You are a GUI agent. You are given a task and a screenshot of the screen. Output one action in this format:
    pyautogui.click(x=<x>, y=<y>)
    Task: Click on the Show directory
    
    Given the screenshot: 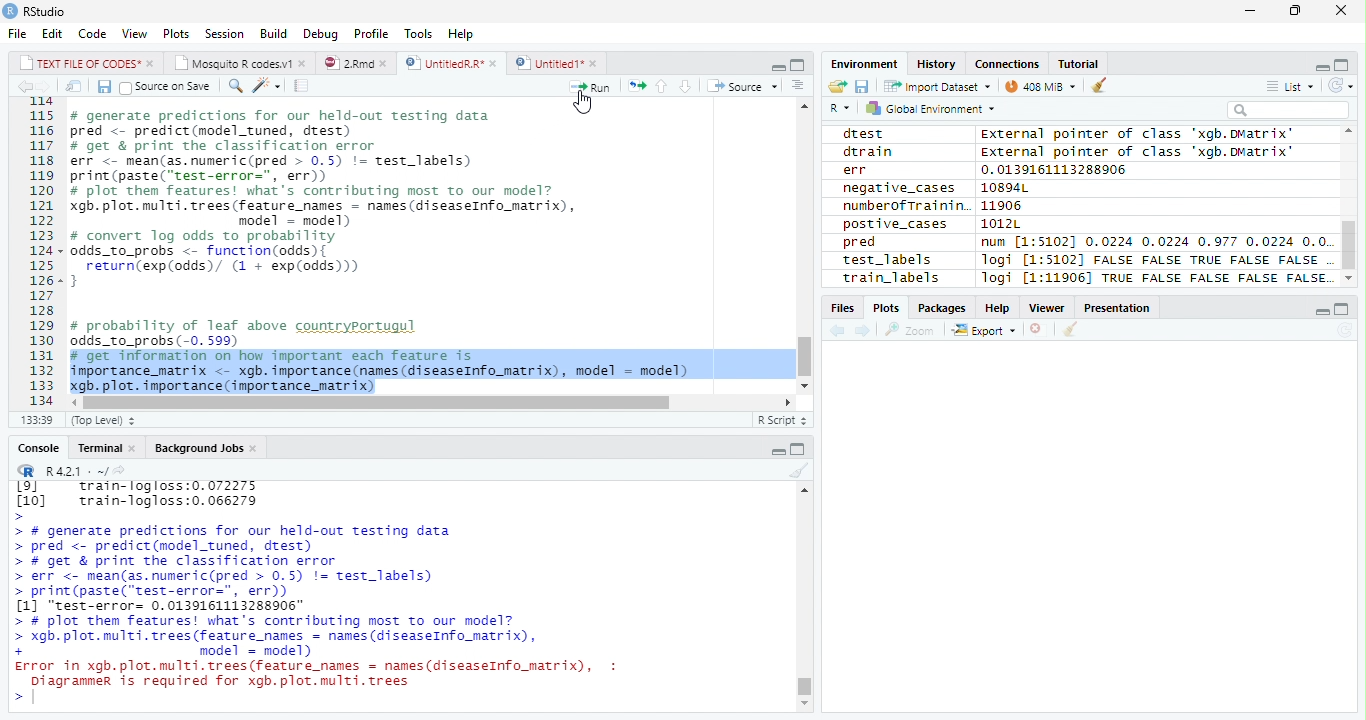 What is the action you would take?
    pyautogui.click(x=119, y=469)
    